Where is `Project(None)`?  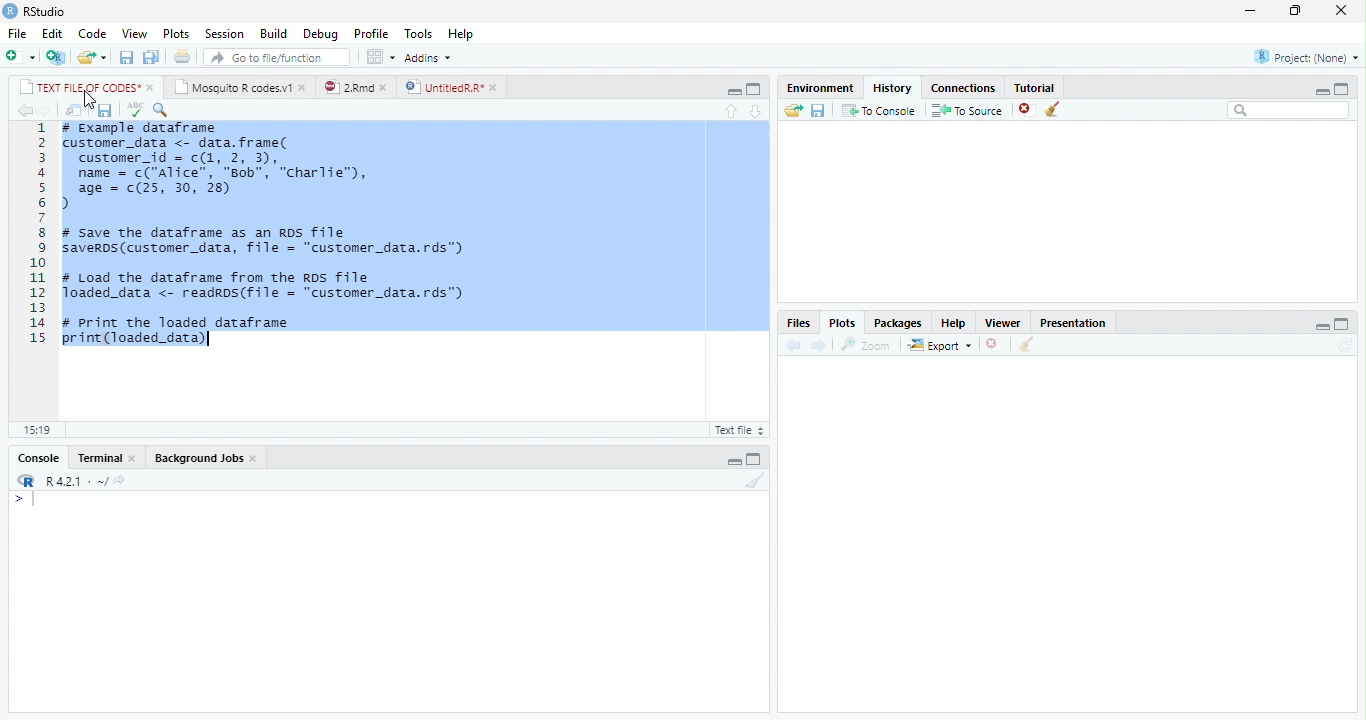
Project(None) is located at coordinates (1307, 57).